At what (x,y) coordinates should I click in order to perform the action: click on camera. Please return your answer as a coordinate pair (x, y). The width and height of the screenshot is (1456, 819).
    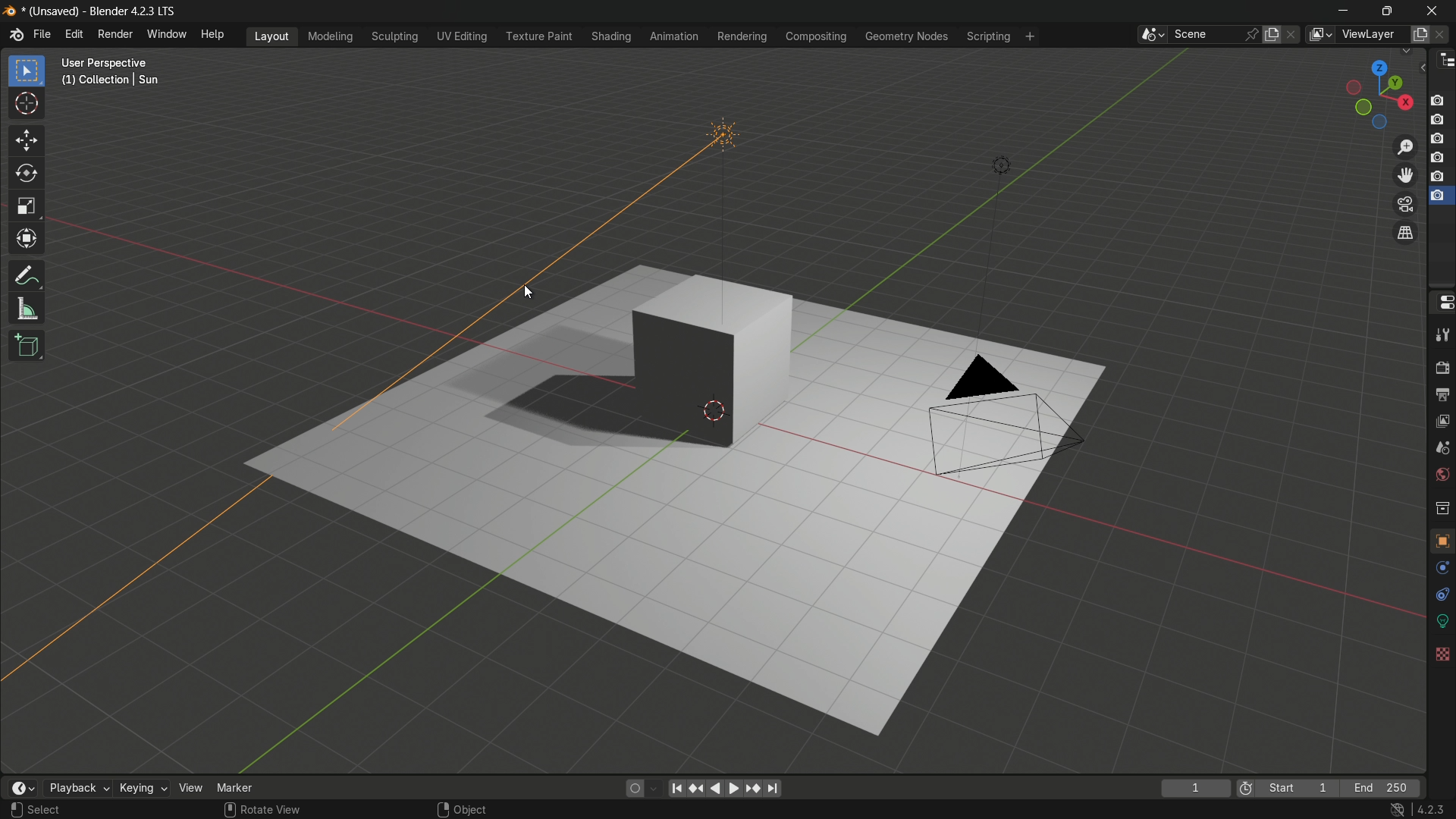
    Looking at the image, I should click on (1002, 413).